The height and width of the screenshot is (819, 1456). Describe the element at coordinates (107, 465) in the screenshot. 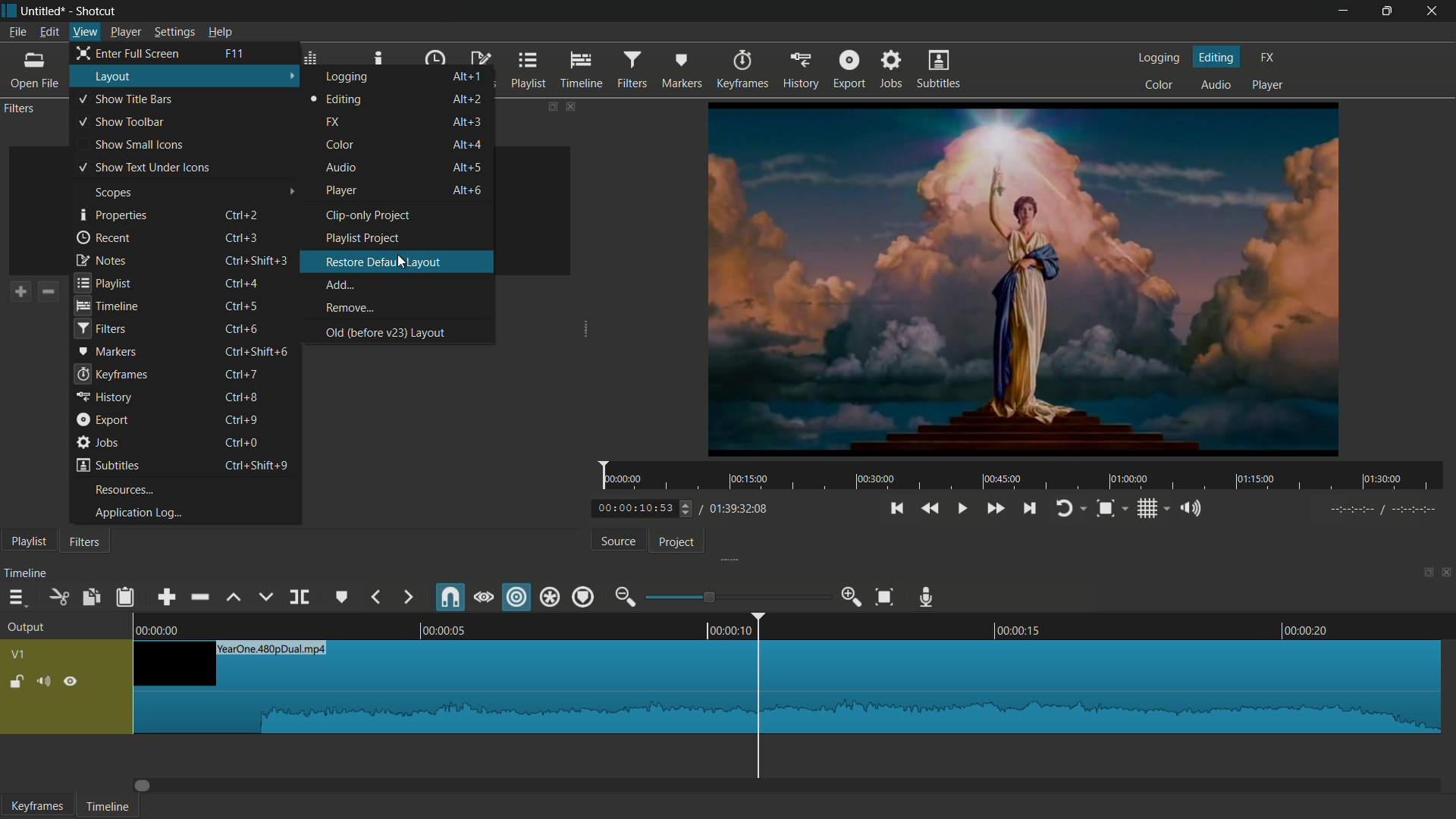

I see `subtitles` at that location.